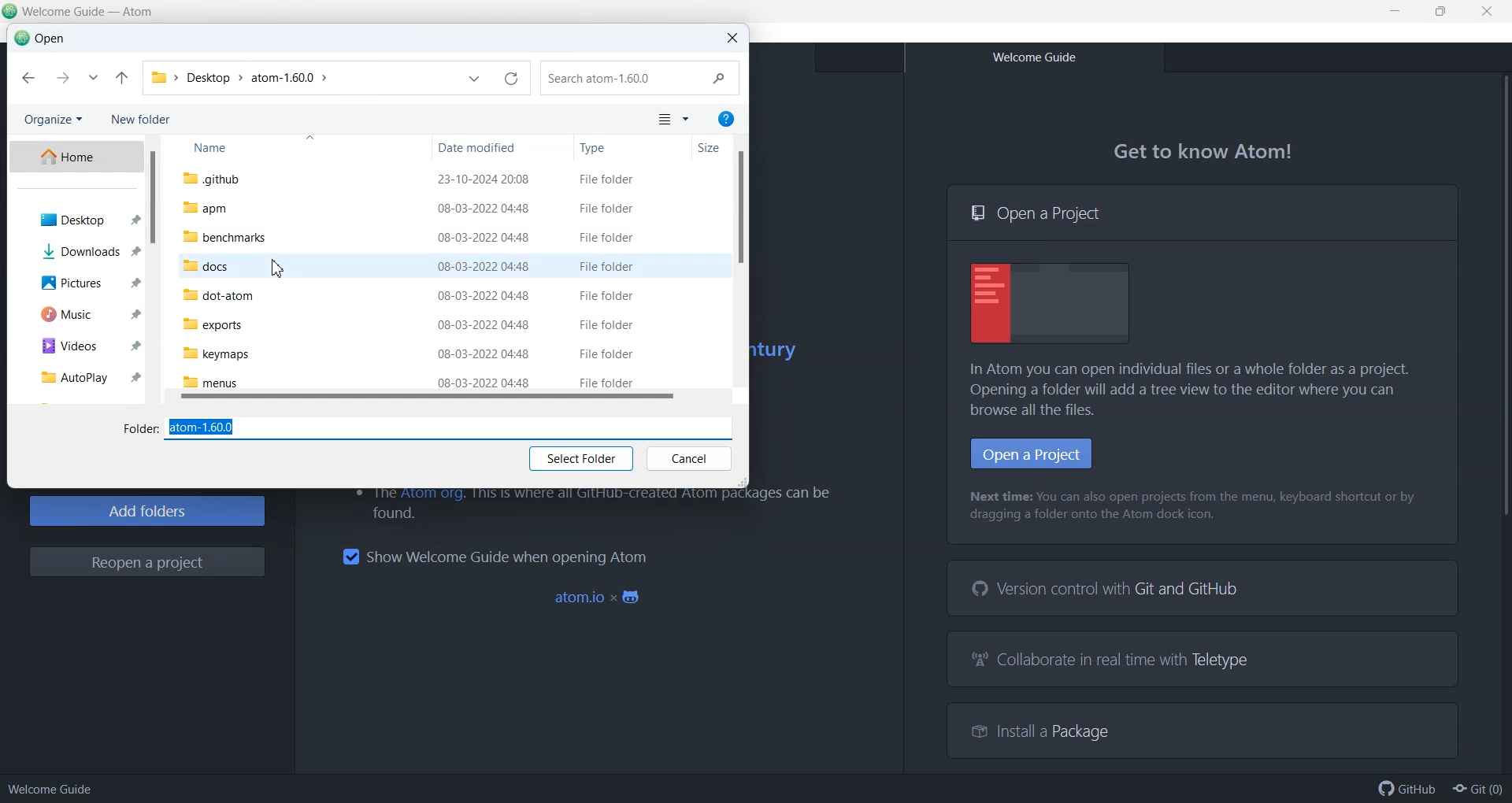 The image size is (1512, 803). What do you see at coordinates (76, 343) in the screenshot?
I see `Videos` at bounding box center [76, 343].